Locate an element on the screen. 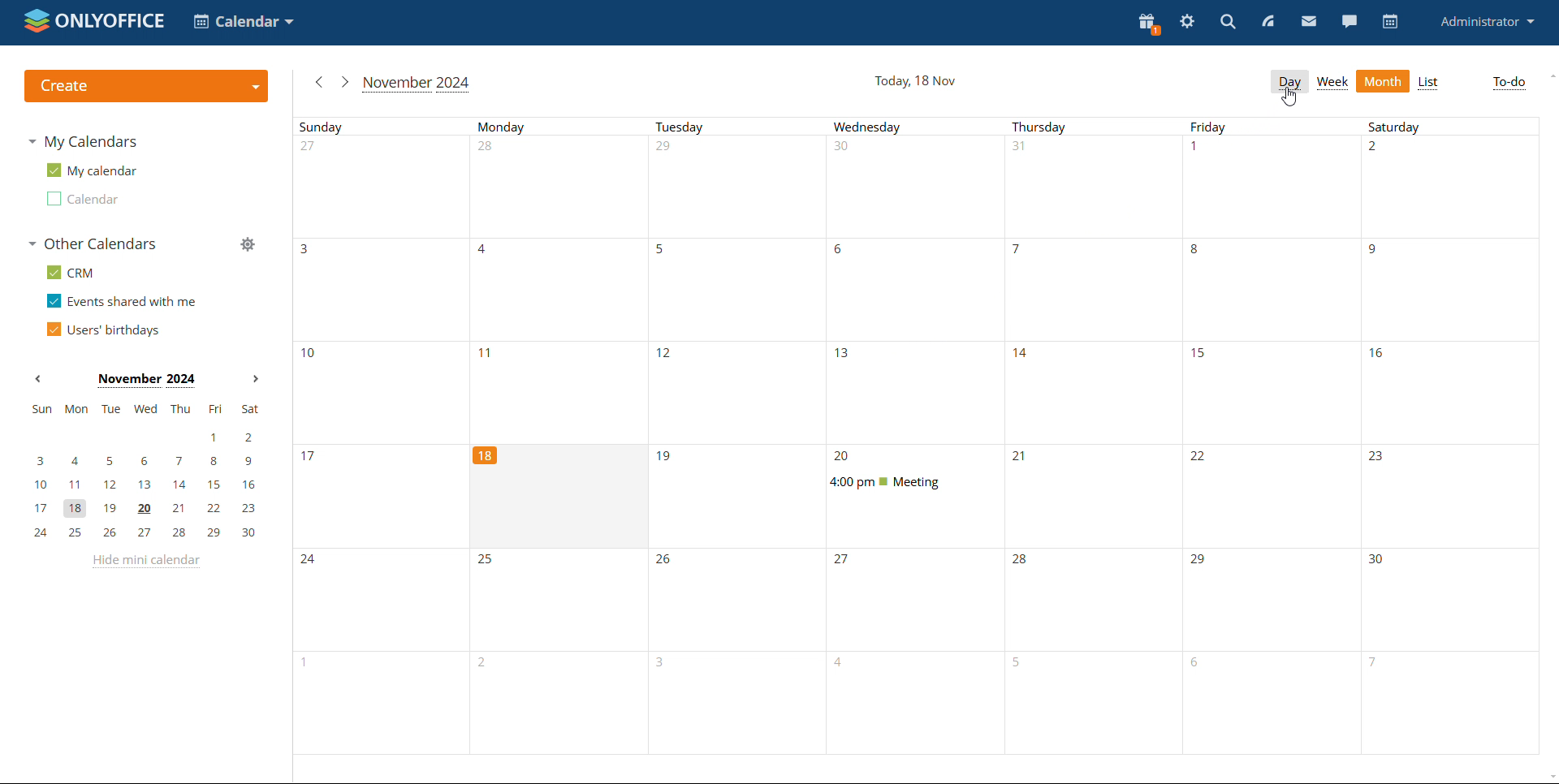 This screenshot has width=1559, height=784. chat is located at coordinates (1350, 21).